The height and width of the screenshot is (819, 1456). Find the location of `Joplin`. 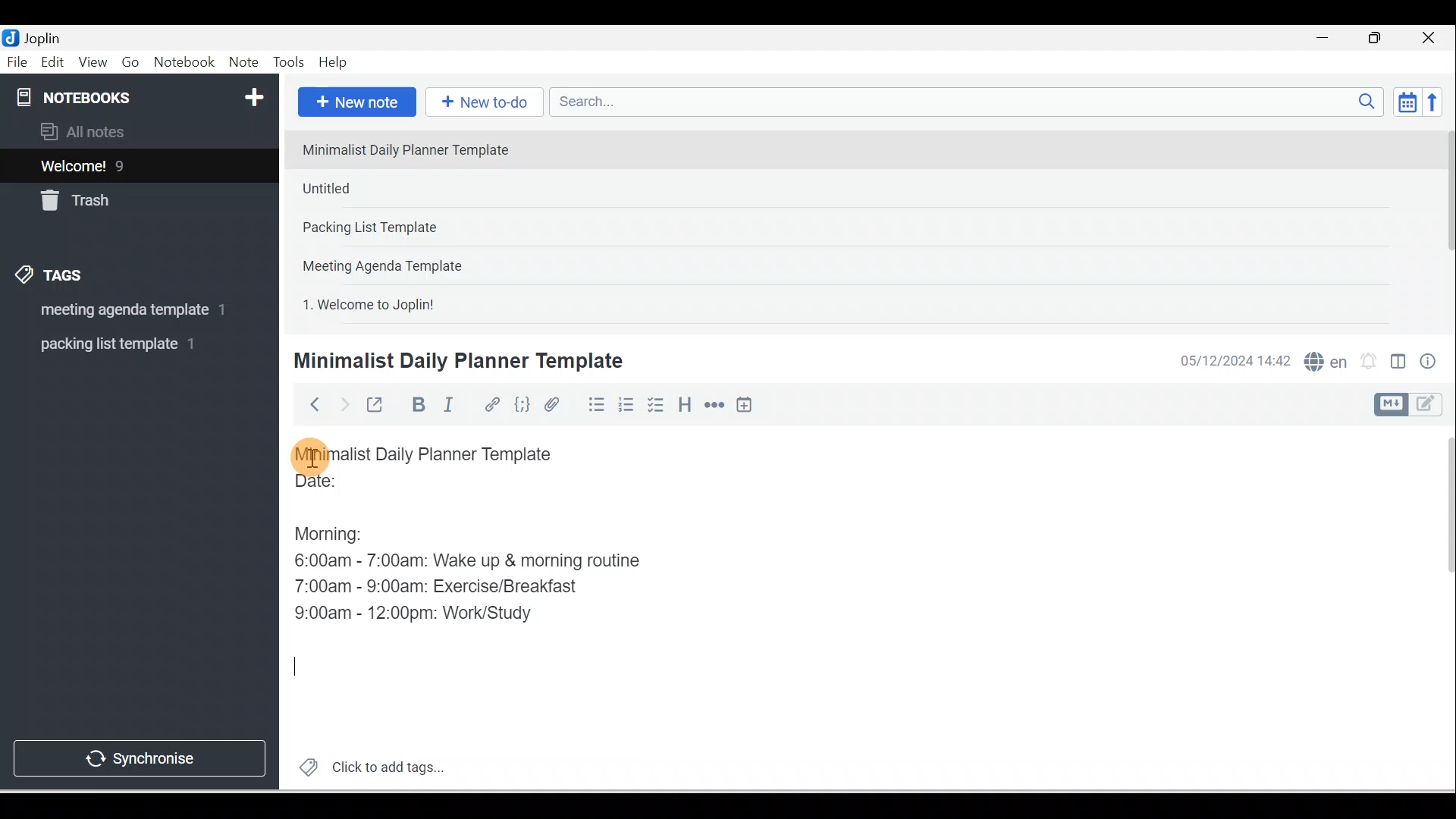

Joplin is located at coordinates (46, 36).